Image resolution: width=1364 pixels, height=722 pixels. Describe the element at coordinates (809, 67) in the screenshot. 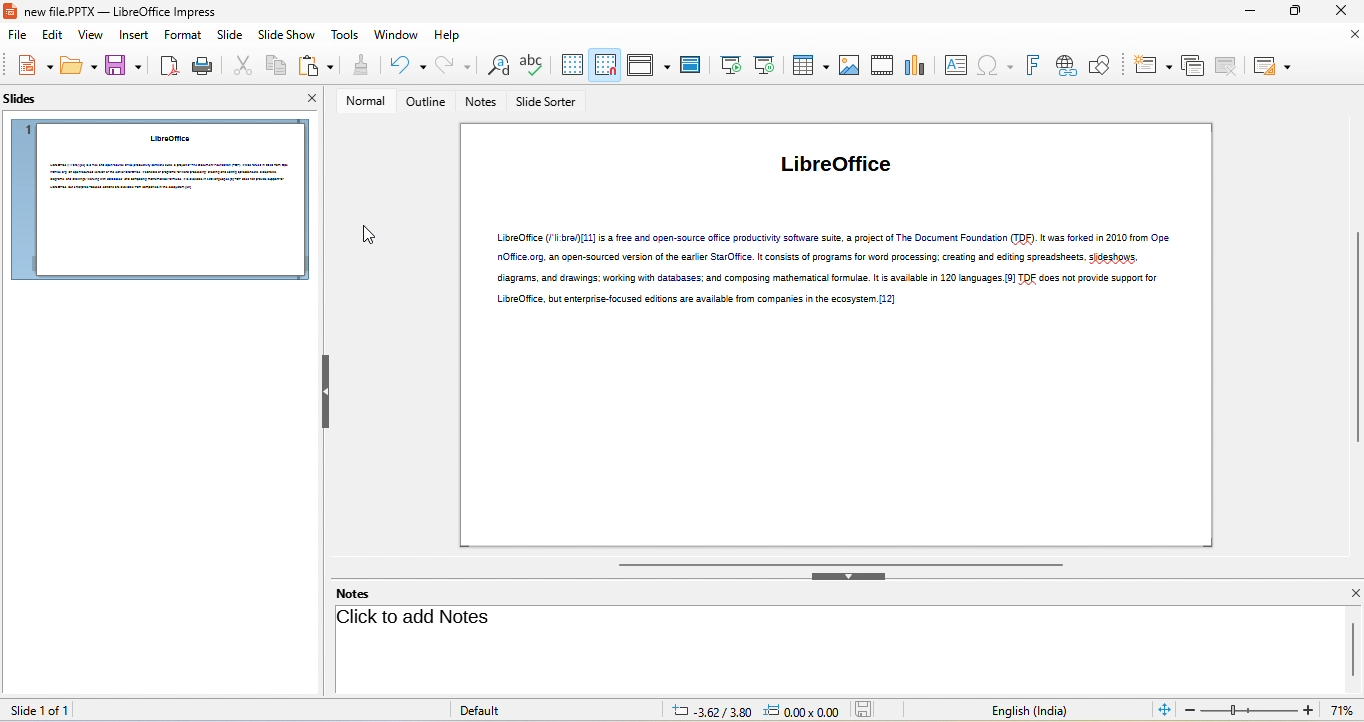

I see `table` at that location.